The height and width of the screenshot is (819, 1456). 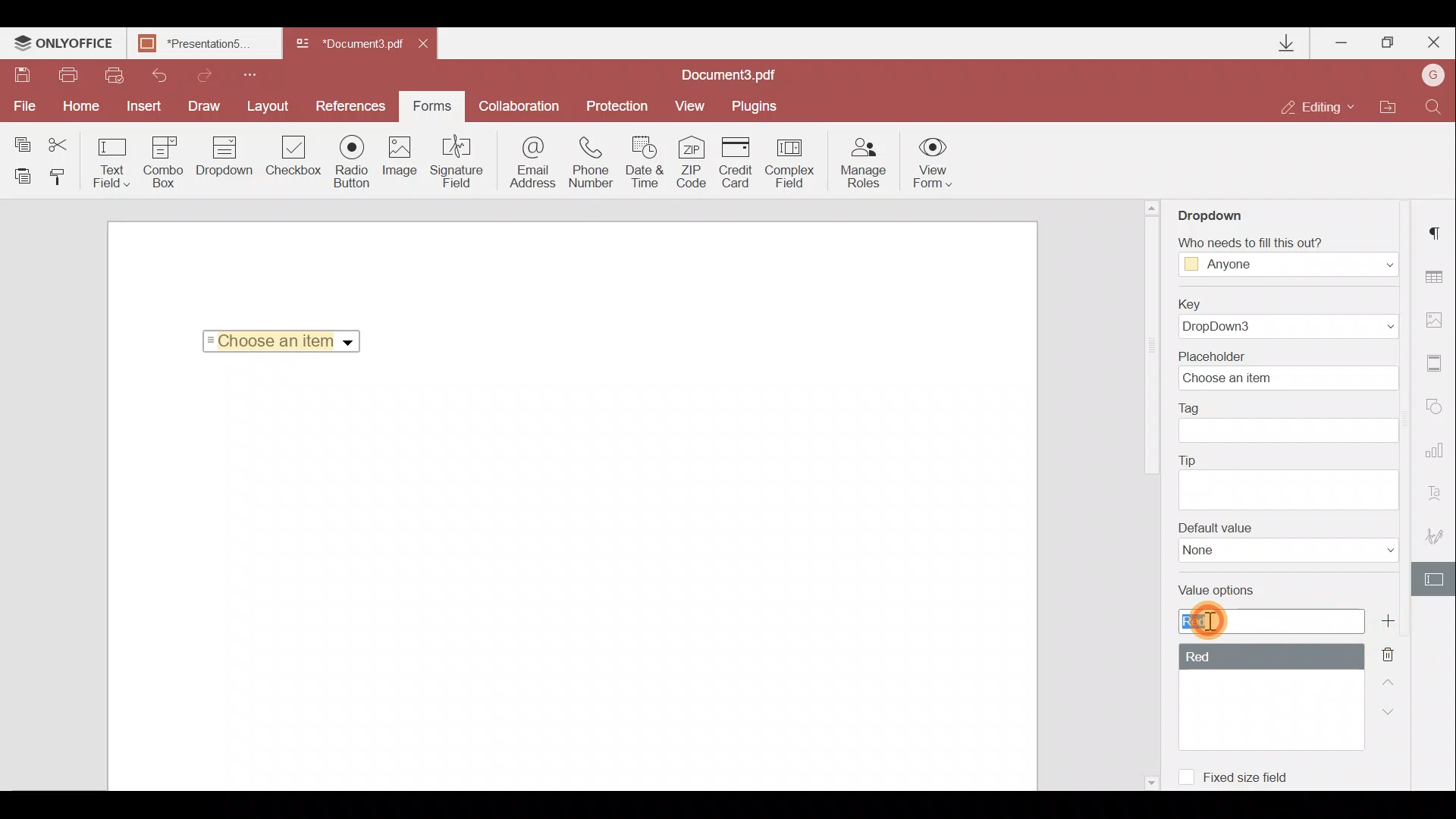 What do you see at coordinates (162, 162) in the screenshot?
I see `Combo box` at bounding box center [162, 162].